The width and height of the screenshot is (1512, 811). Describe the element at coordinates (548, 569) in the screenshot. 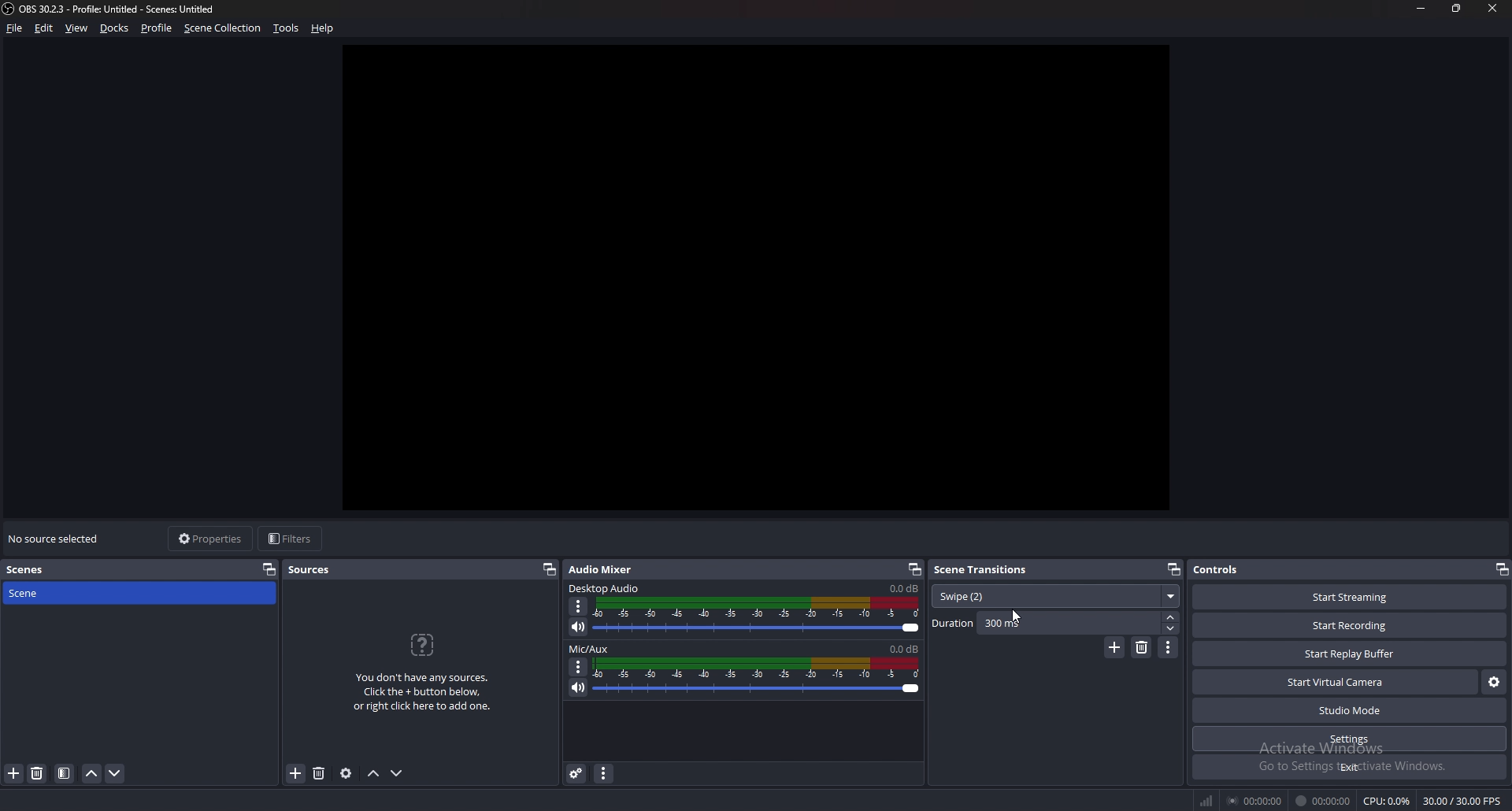

I see `pop out` at that location.